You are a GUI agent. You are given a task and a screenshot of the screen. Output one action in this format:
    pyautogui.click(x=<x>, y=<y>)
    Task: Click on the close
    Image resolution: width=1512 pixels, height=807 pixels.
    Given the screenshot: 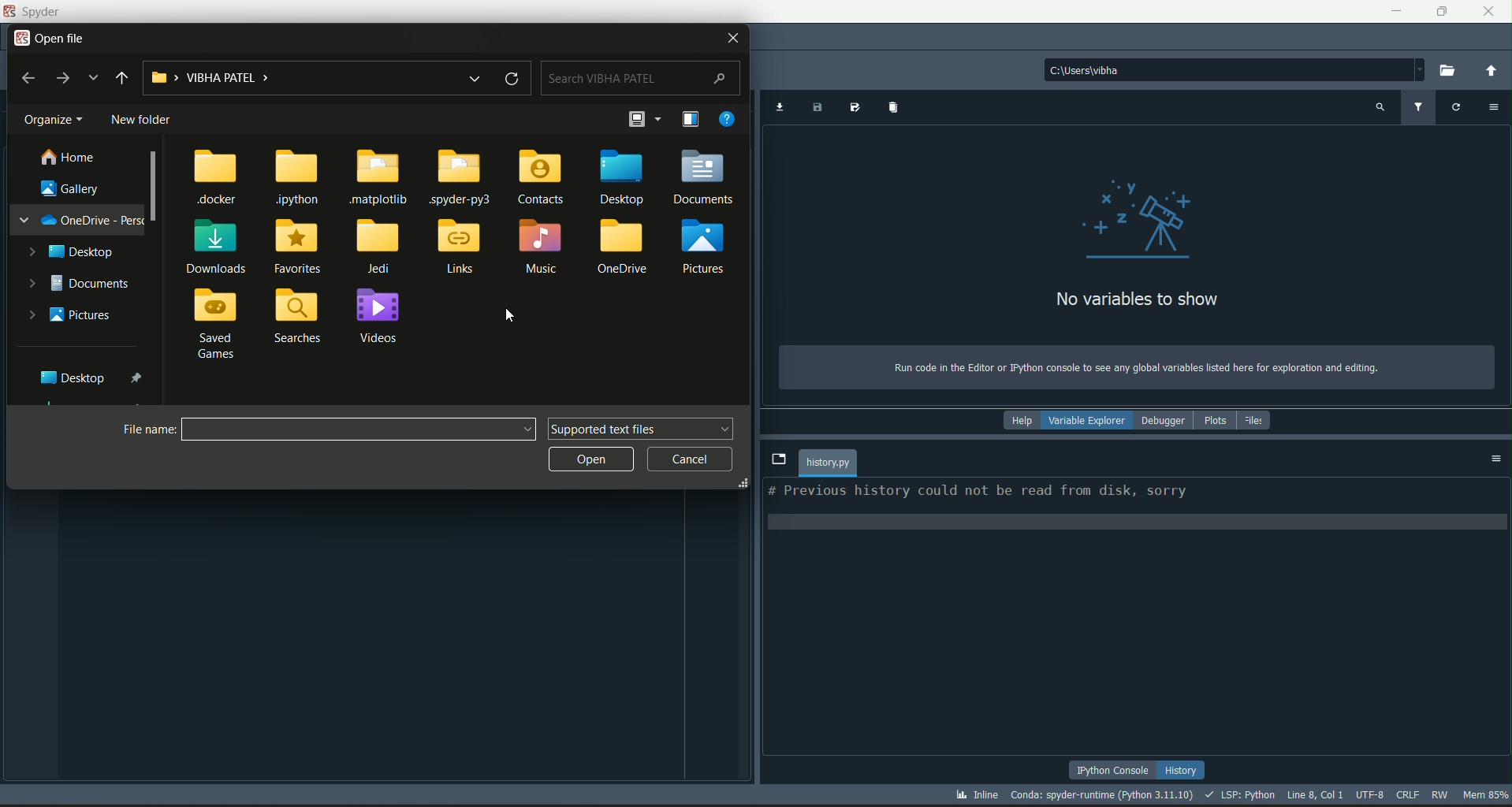 What is the action you would take?
    pyautogui.click(x=1488, y=12)
    